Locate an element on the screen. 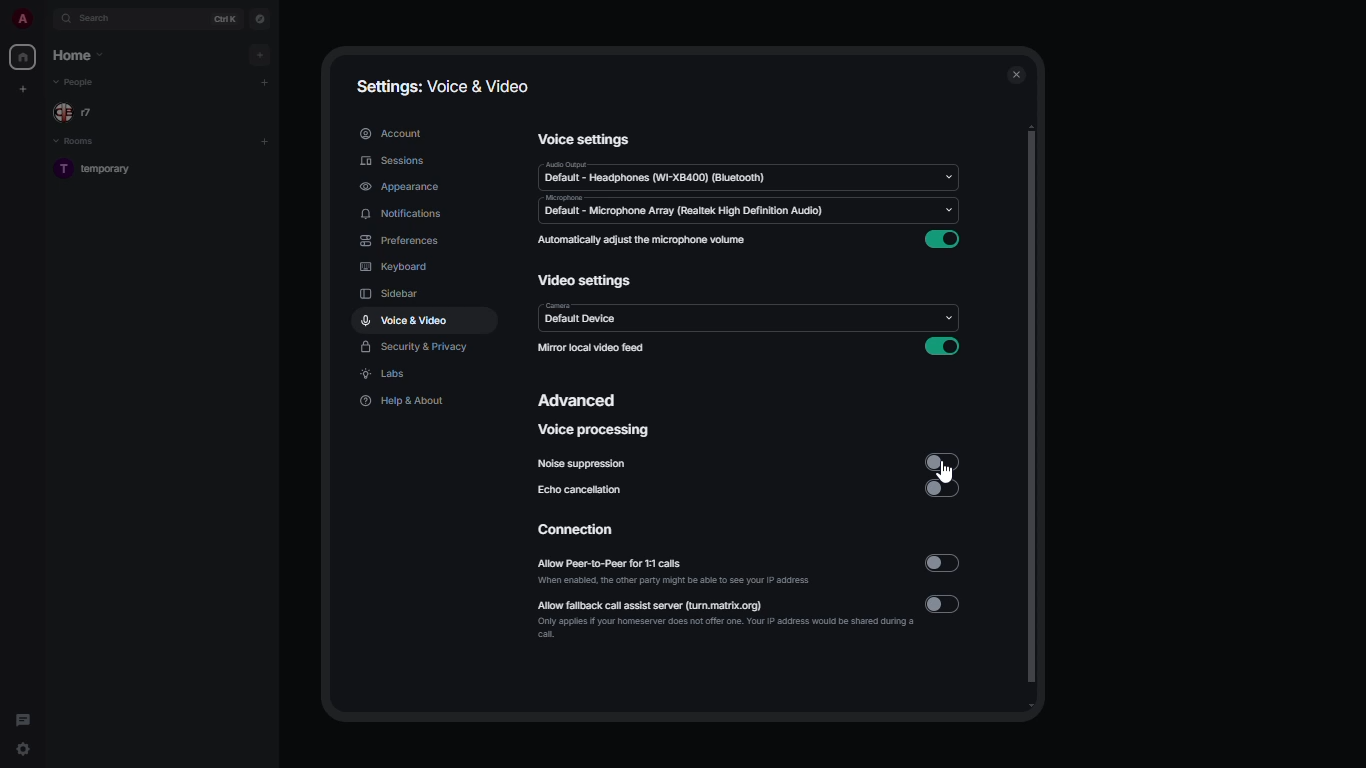 Image resolution: width=1366 pixels, height=768 pixels. security & privacy is located at coordinates (413, 348).